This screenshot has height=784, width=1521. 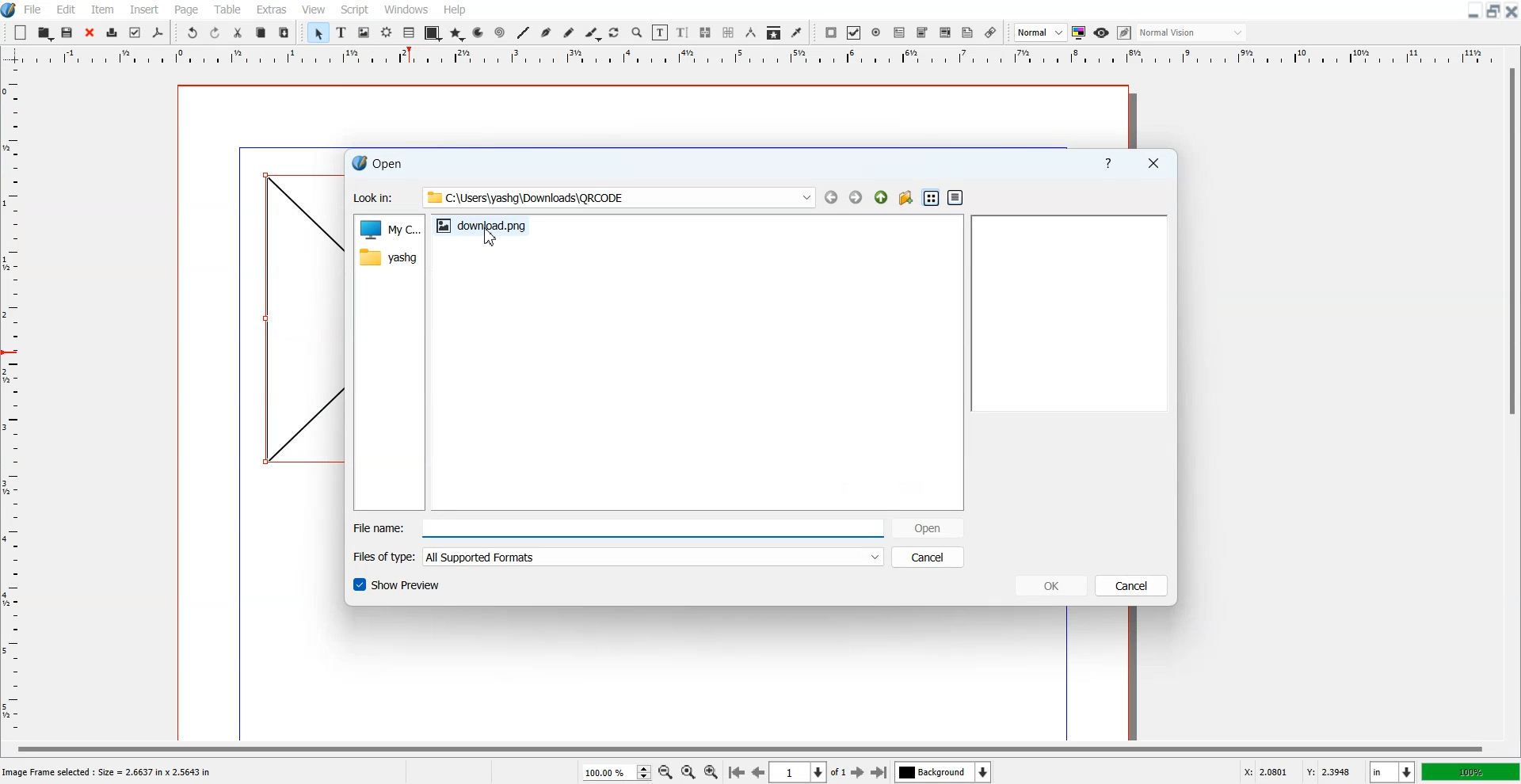 I want to click on Eye Dropper, so click(x=796, y=32).